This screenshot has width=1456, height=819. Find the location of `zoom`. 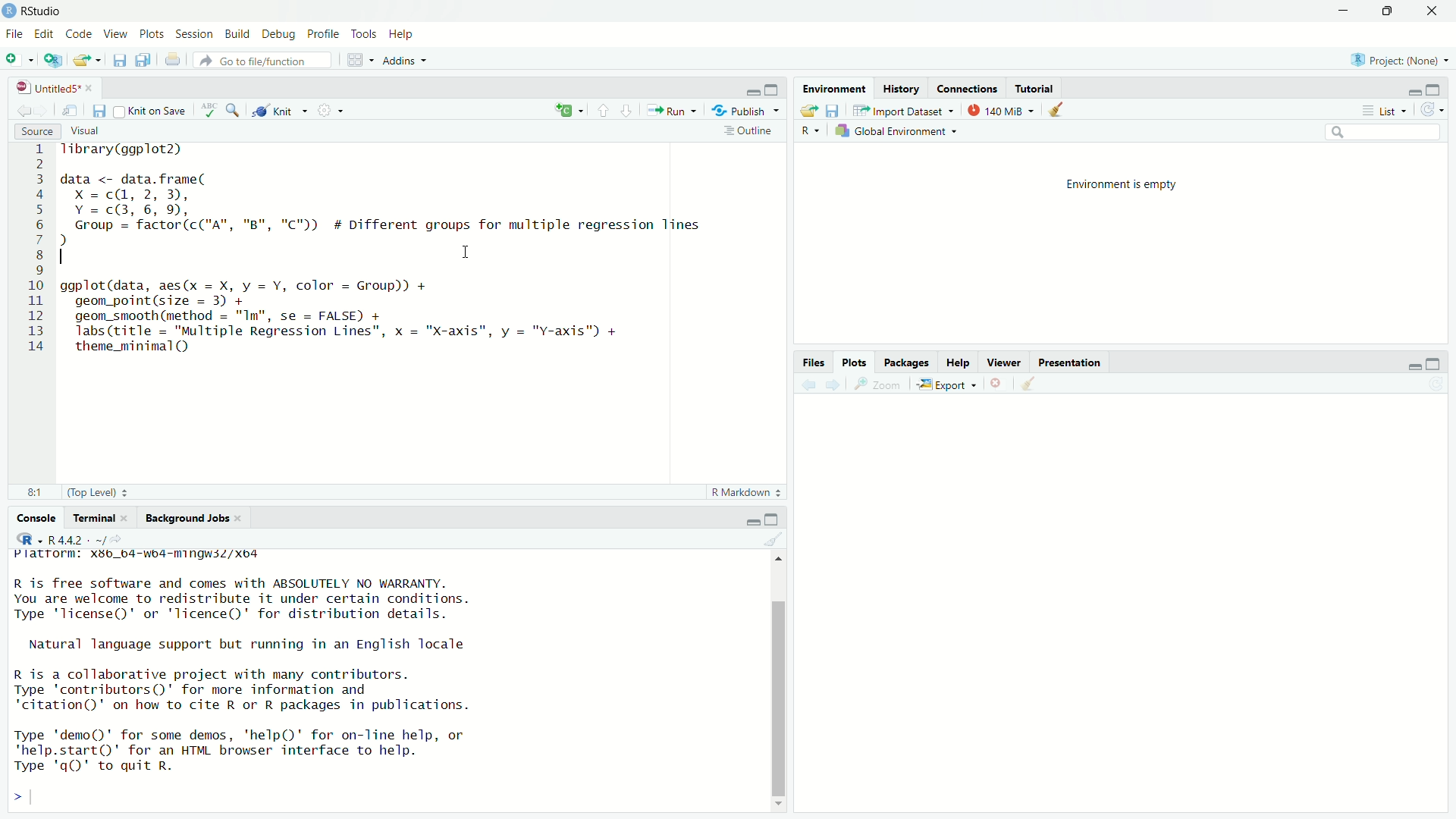

zoom is located at coordinates (232, 110).